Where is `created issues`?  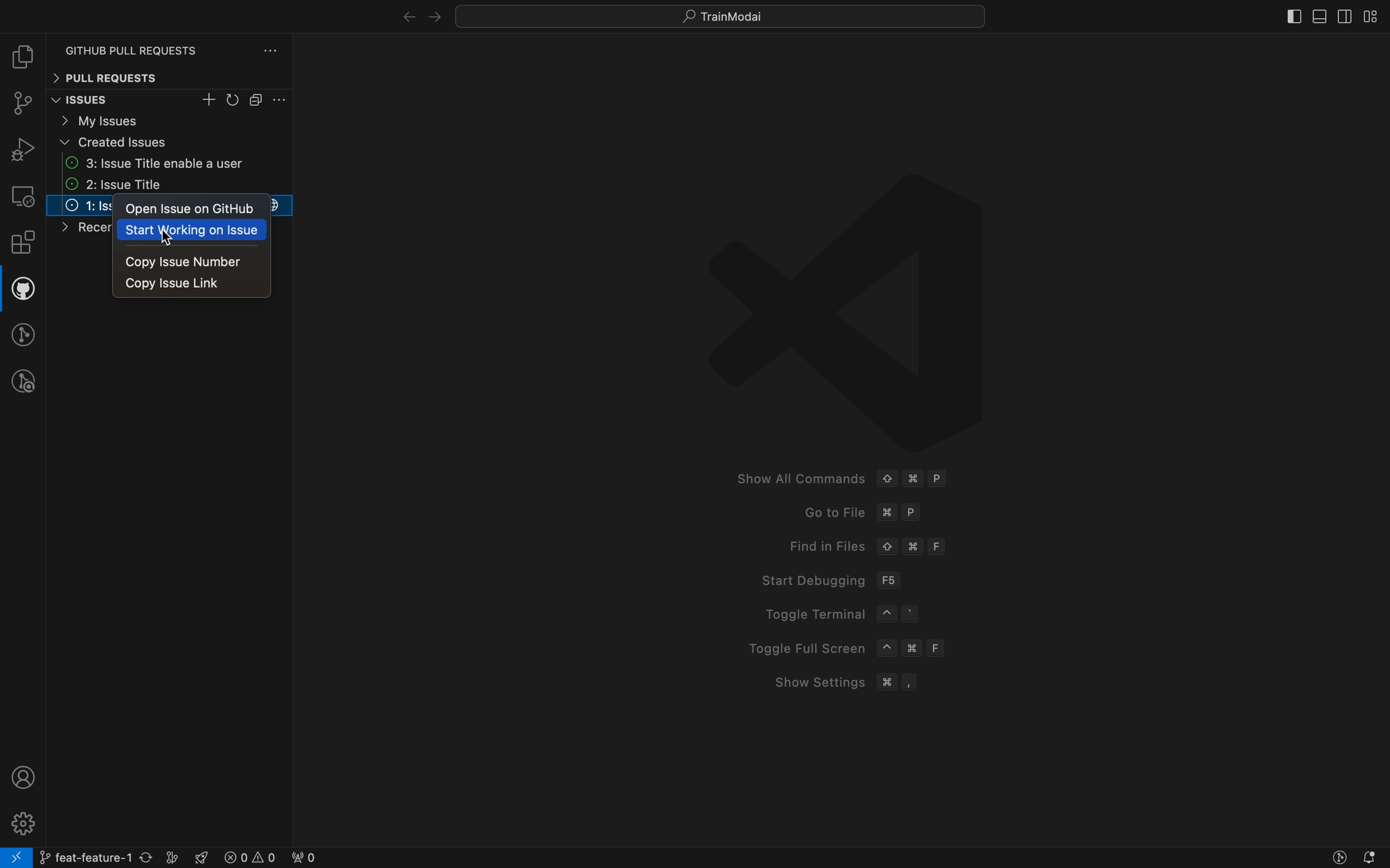
created issues is located at coordinates (171, 142).